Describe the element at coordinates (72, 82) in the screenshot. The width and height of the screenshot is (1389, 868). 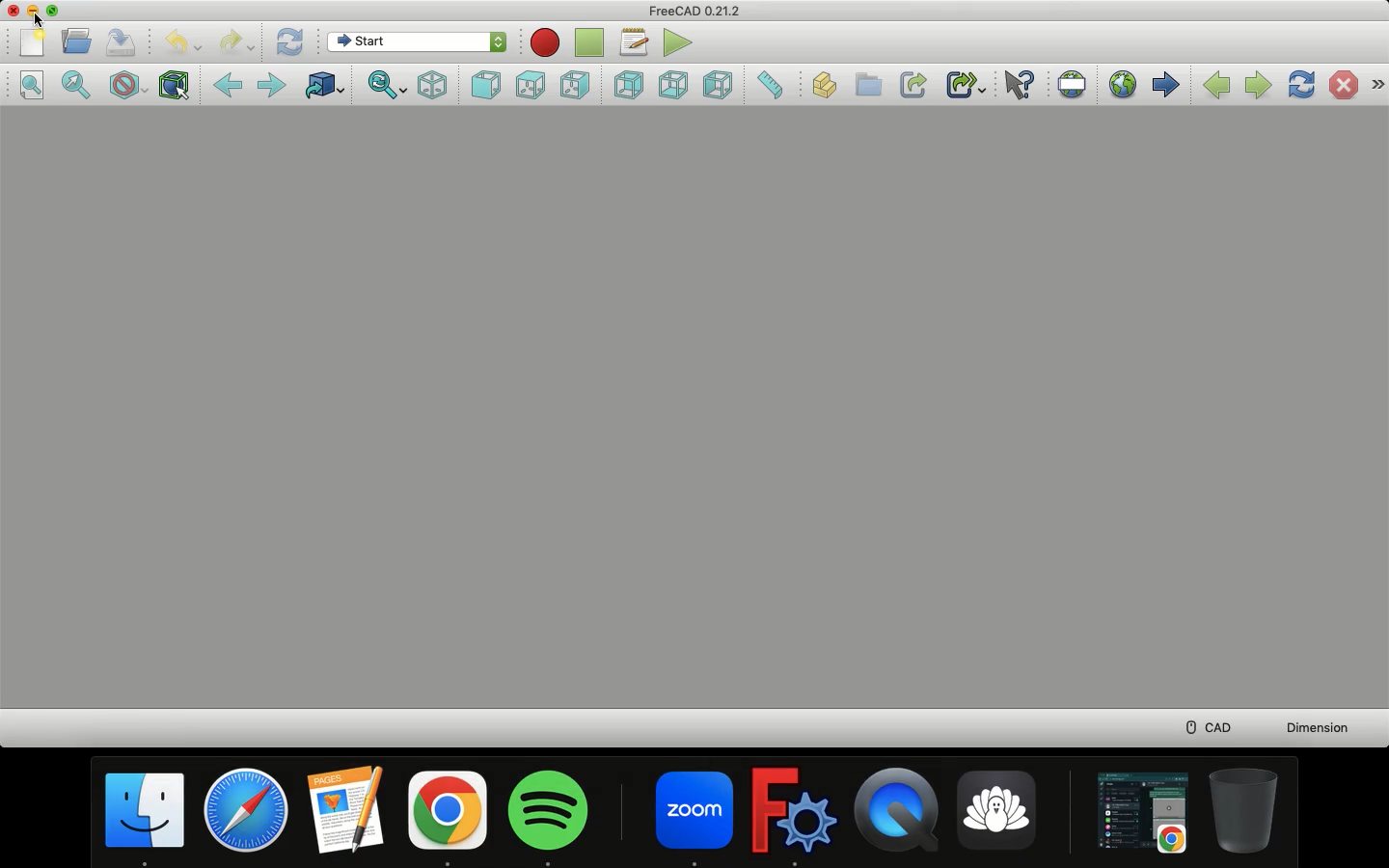
I see `Fit selection` at that location.